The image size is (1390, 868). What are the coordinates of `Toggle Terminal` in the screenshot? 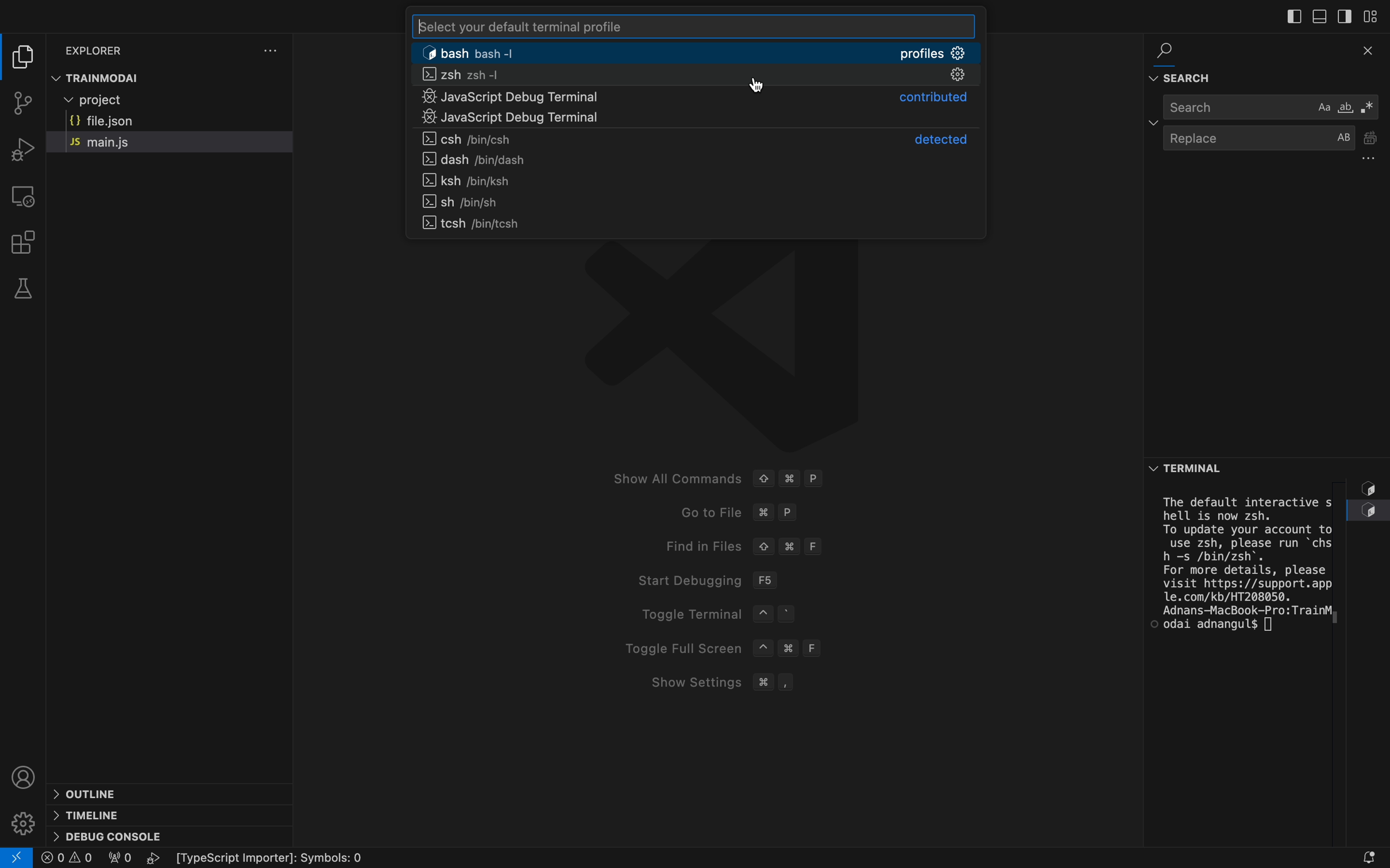 It's located at (712, 615).